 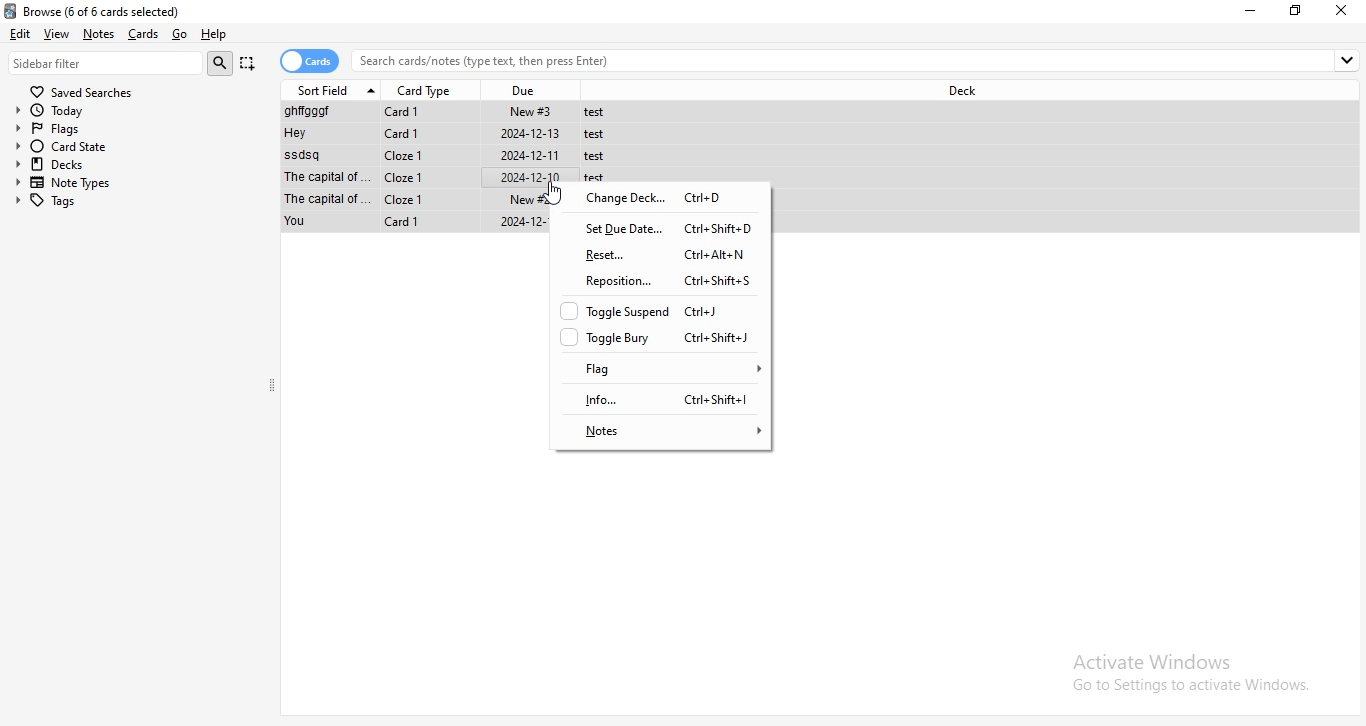 What do you see at coordinates (81, 91) in the screenshot?
I see `saved searches` at bounding box center [81, 91].